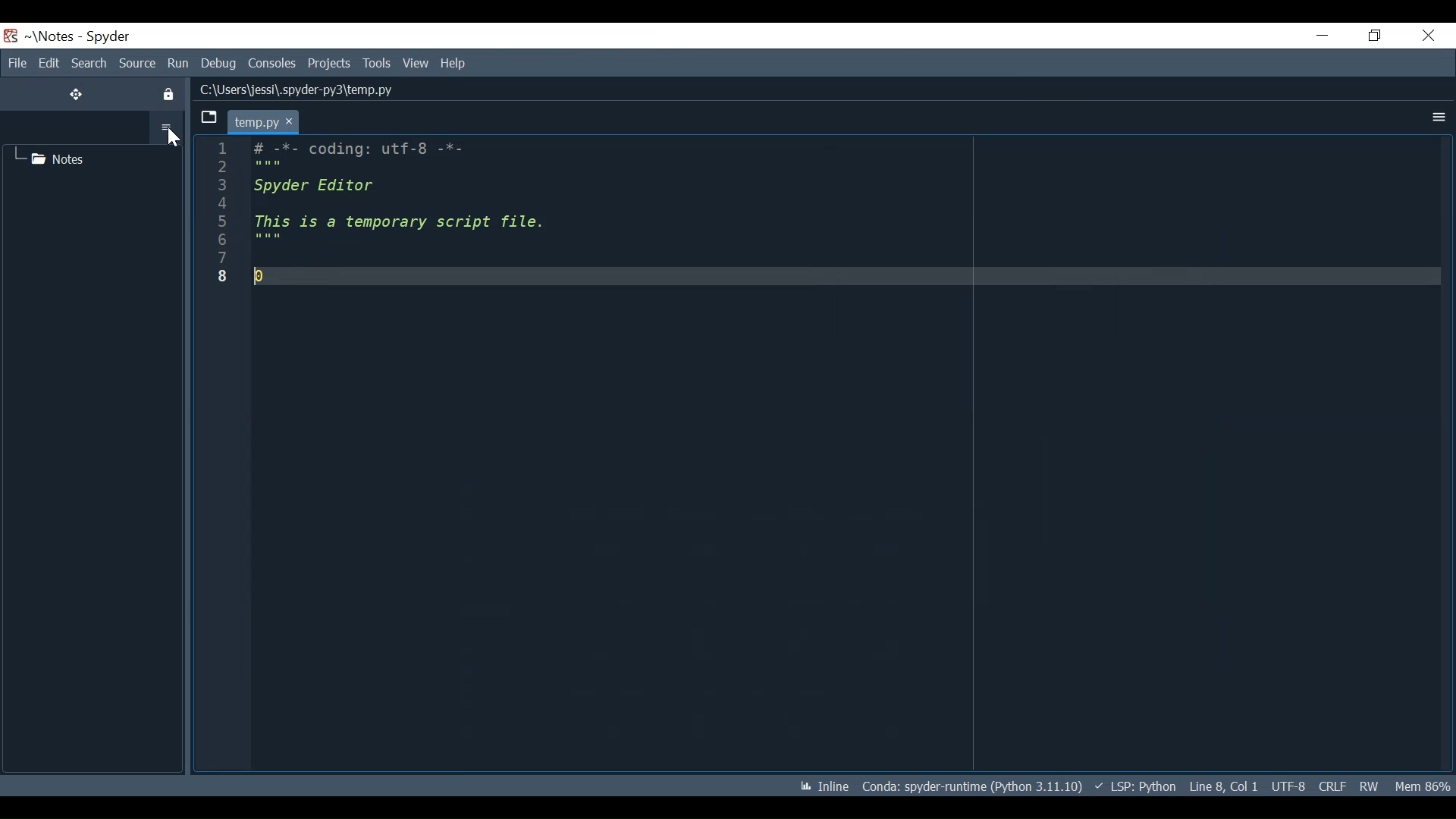  I want to click on Project Name, so click(51, 36).